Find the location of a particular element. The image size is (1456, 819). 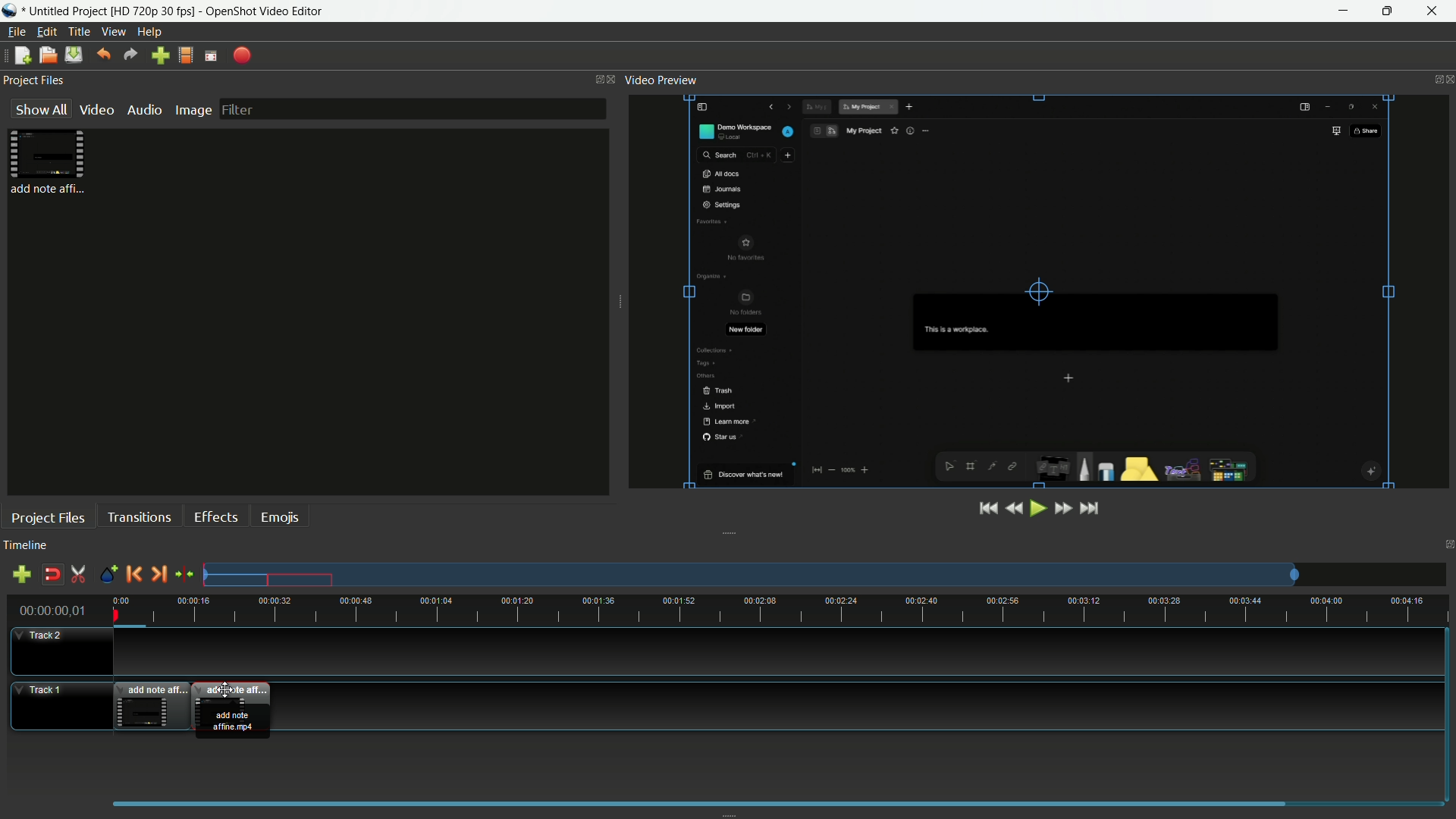

emojis is located at coordinates (278, 518).